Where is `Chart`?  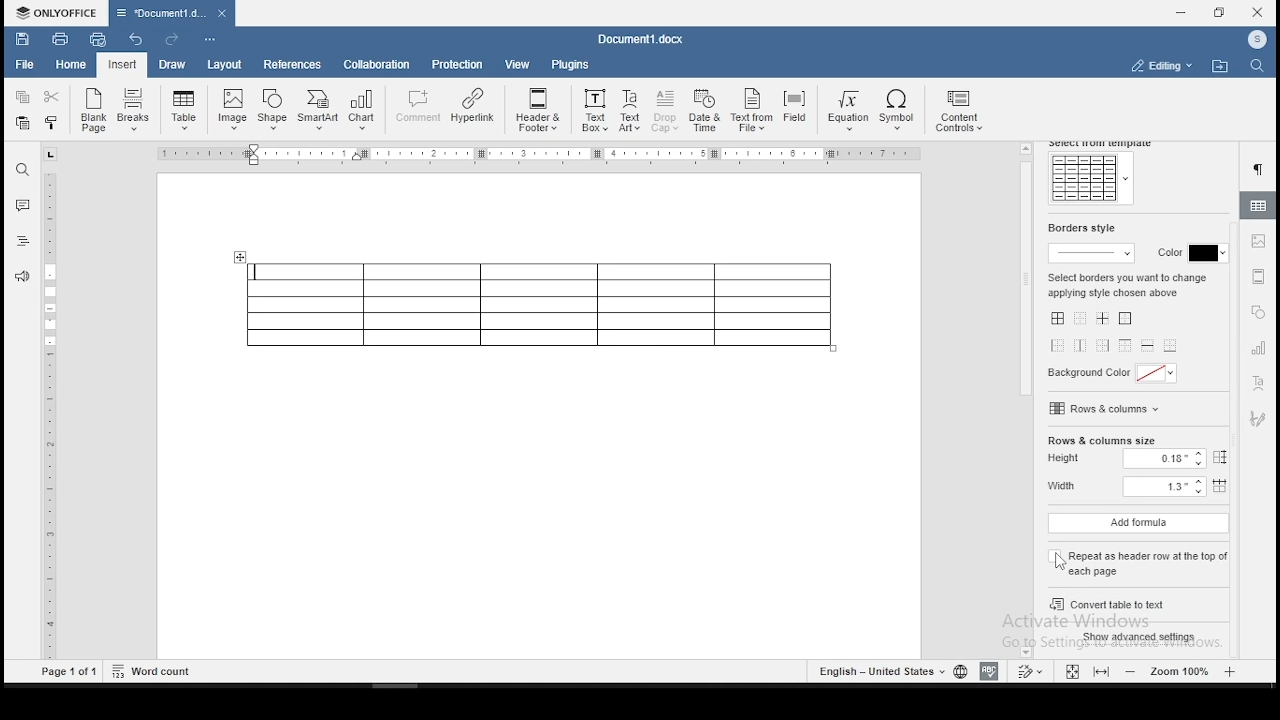 Chart is located at coordinates (361, 112).